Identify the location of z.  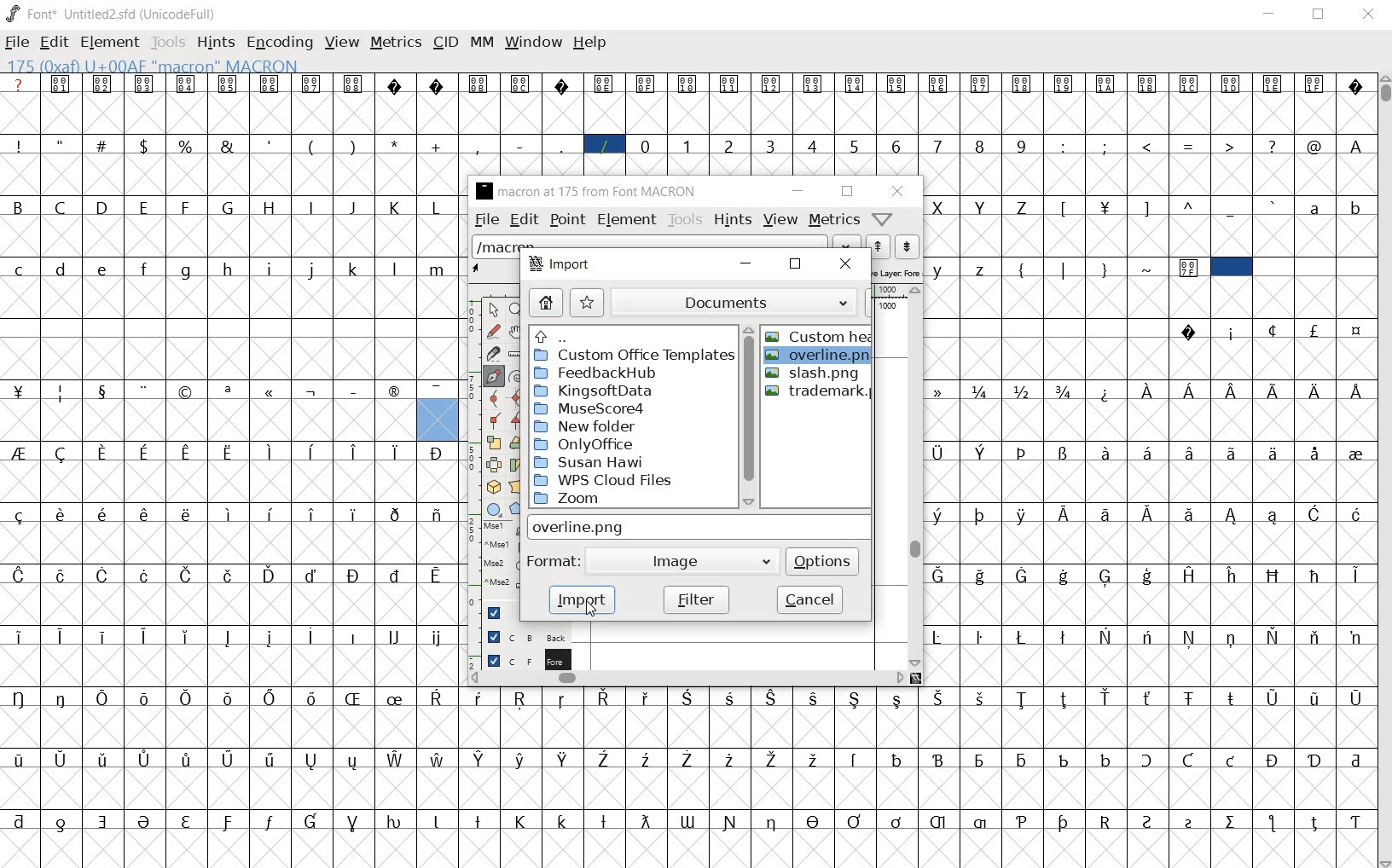
(981, 269).